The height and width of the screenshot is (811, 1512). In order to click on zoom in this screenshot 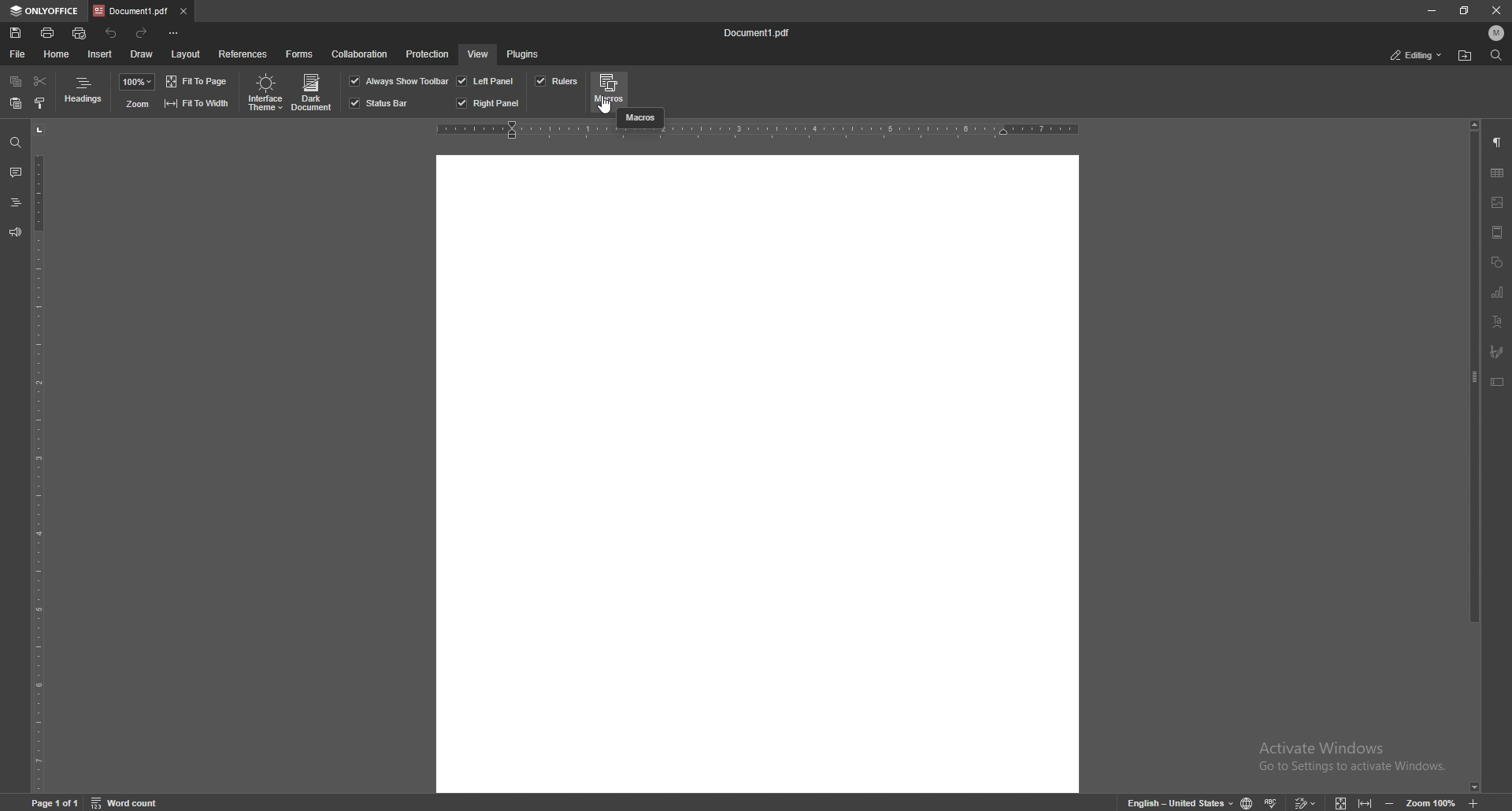, I will do `click(137, 82)`.